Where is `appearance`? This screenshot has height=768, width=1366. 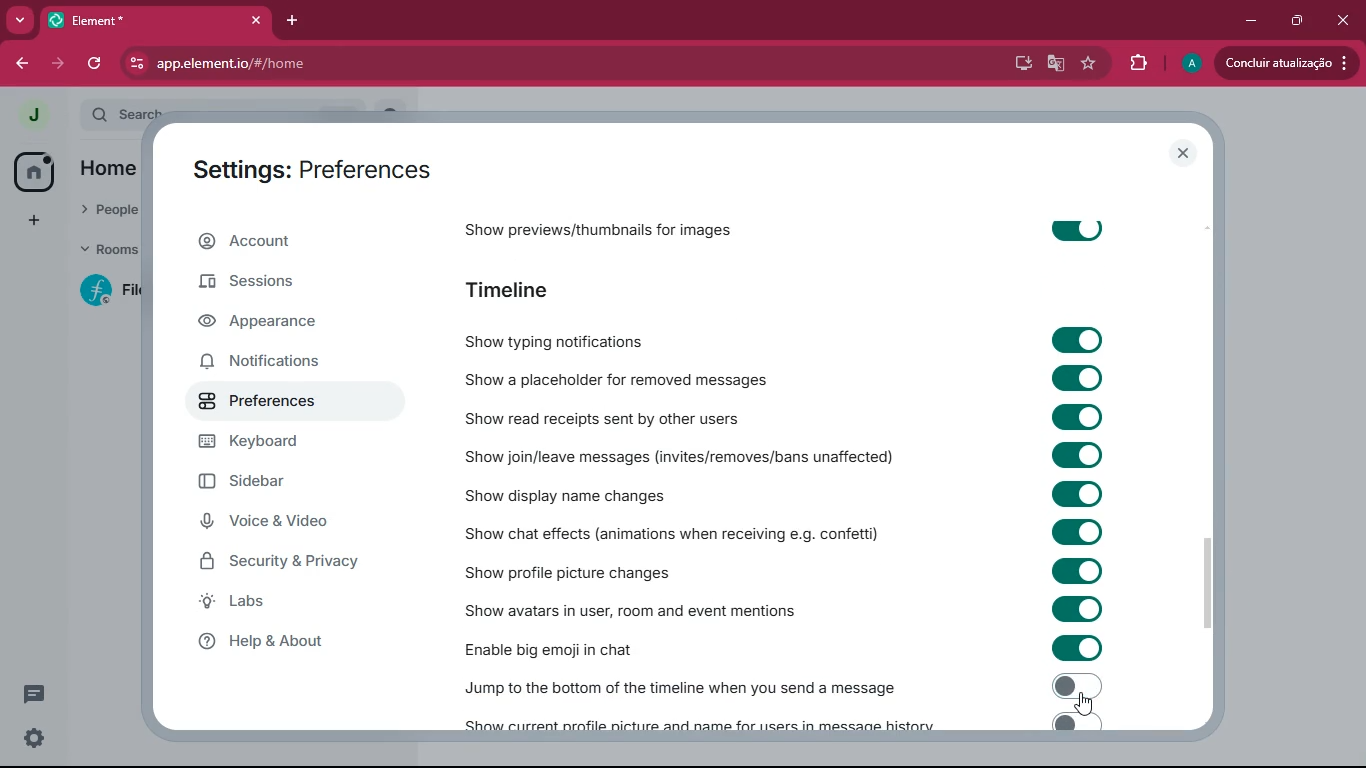
appearance is located at coordinates (282, 322).